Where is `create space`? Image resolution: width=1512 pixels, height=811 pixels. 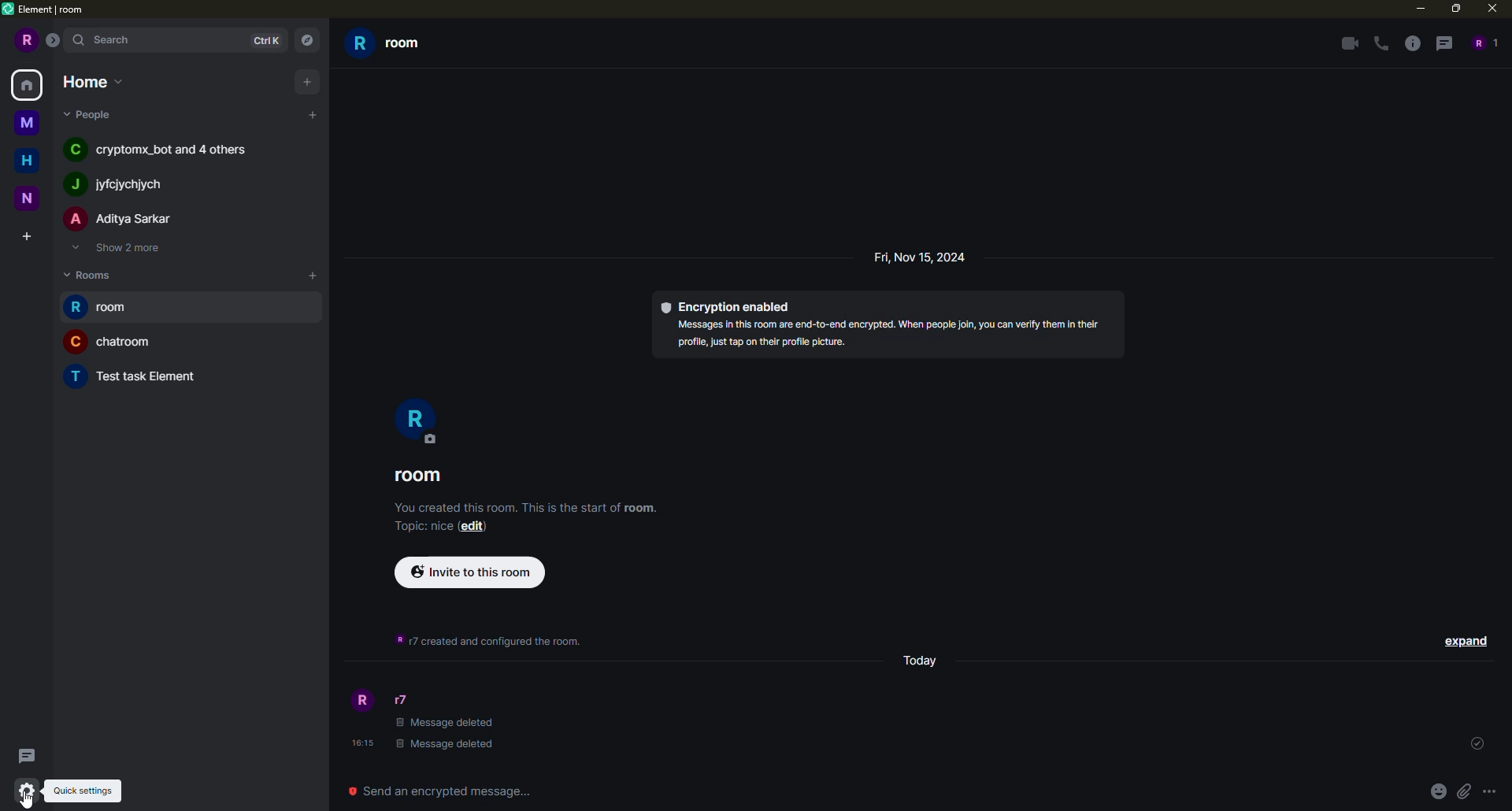 create space is located at coordinates (26, 238).